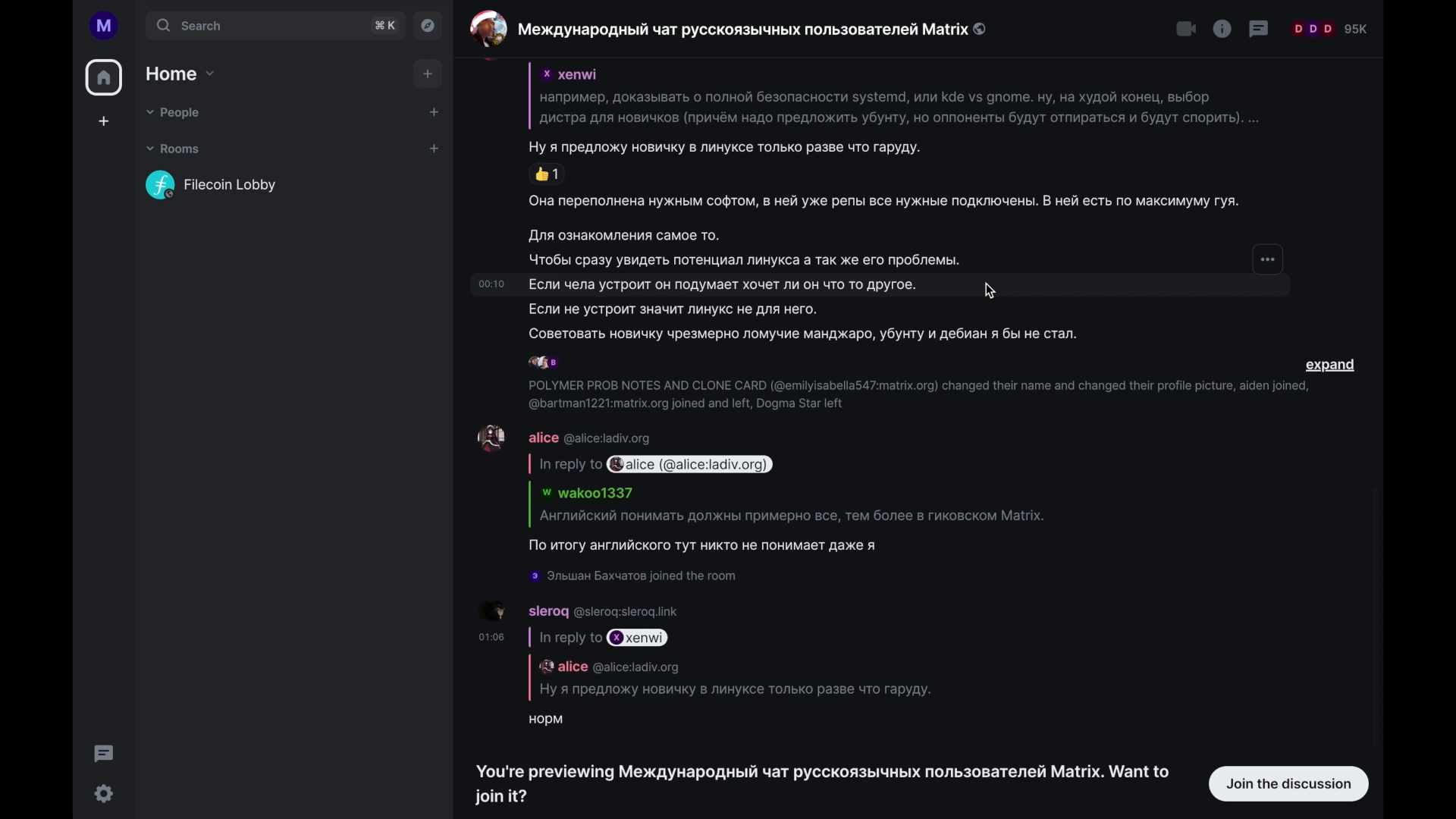  I want to click on Она переполнена нужным софтом, в ней уже репы все нужные подключены. В ней есть по максимуму гуя..  Для ознакомления самое то.  Чтобы сразу увидеть потенциал линукса а так же его проблемы., so click(880, 231).